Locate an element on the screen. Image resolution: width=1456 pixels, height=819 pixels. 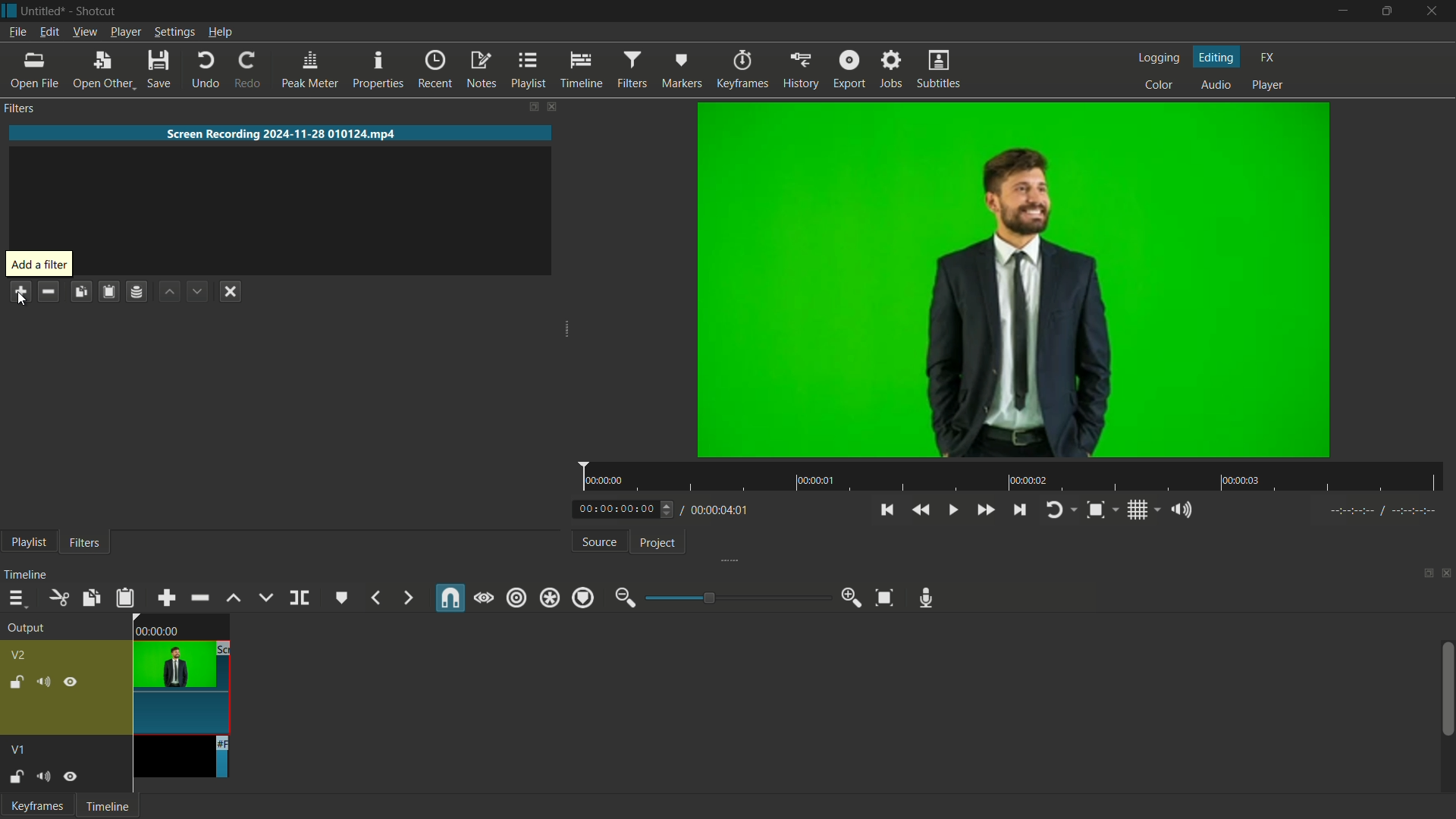
imported video is located at coordinates (1013, 281).